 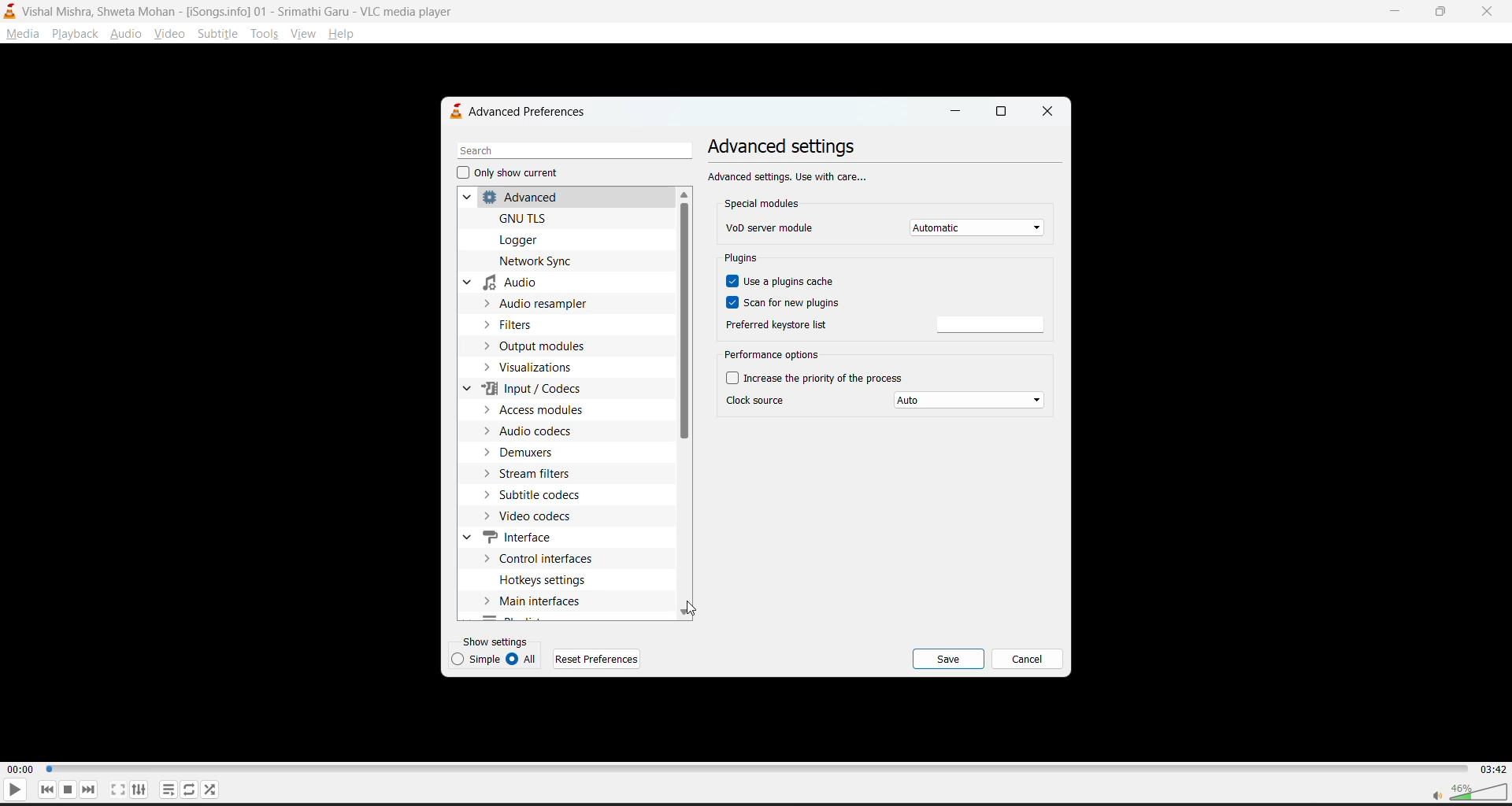 I want to click on play, so click(x=13, y=792).